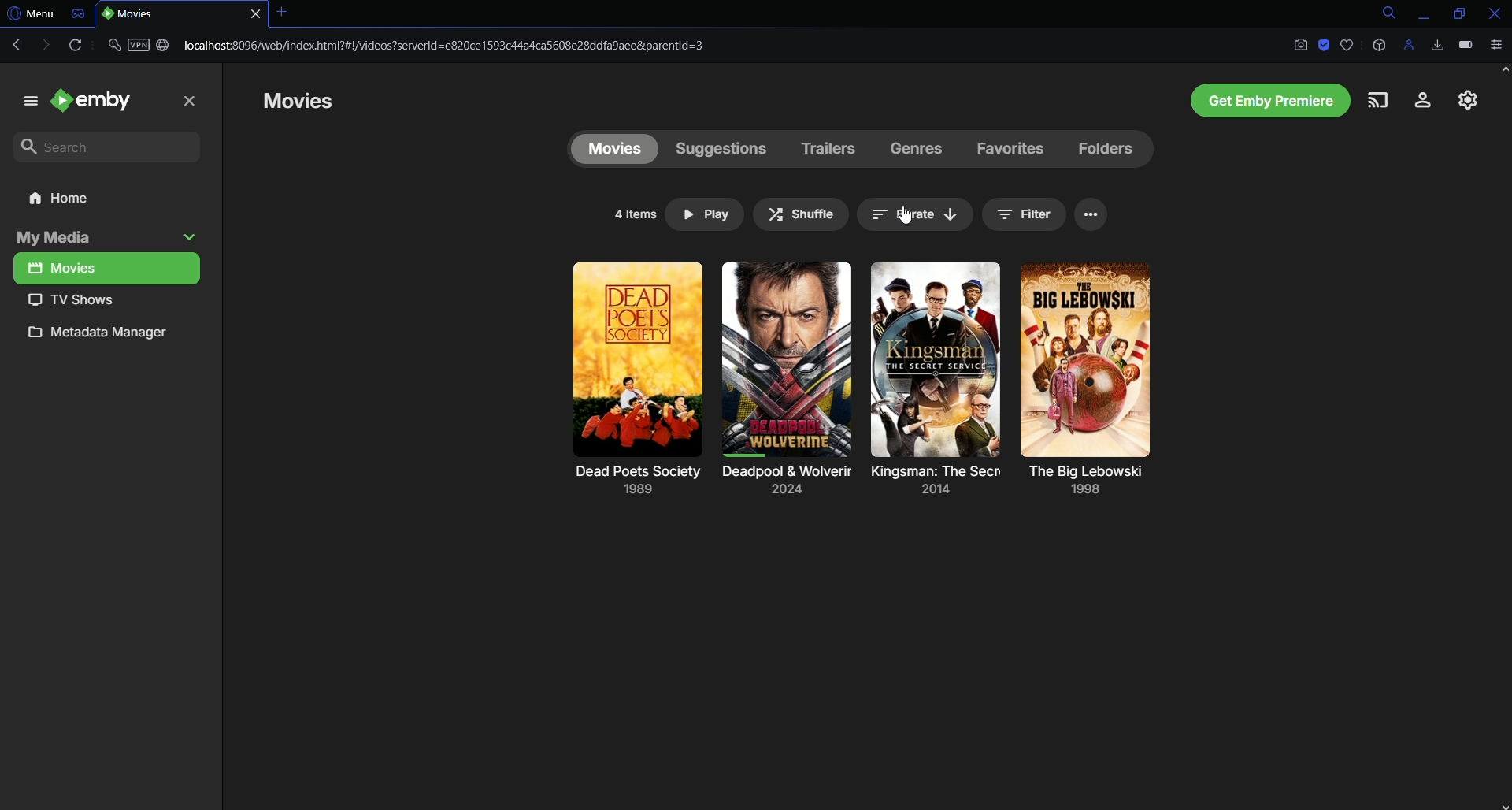 The image size is (1512, 810). What do you see at coordinates (937, 486) in the screenshot?
I see `Kingsman` at bounding box center [937, 486].